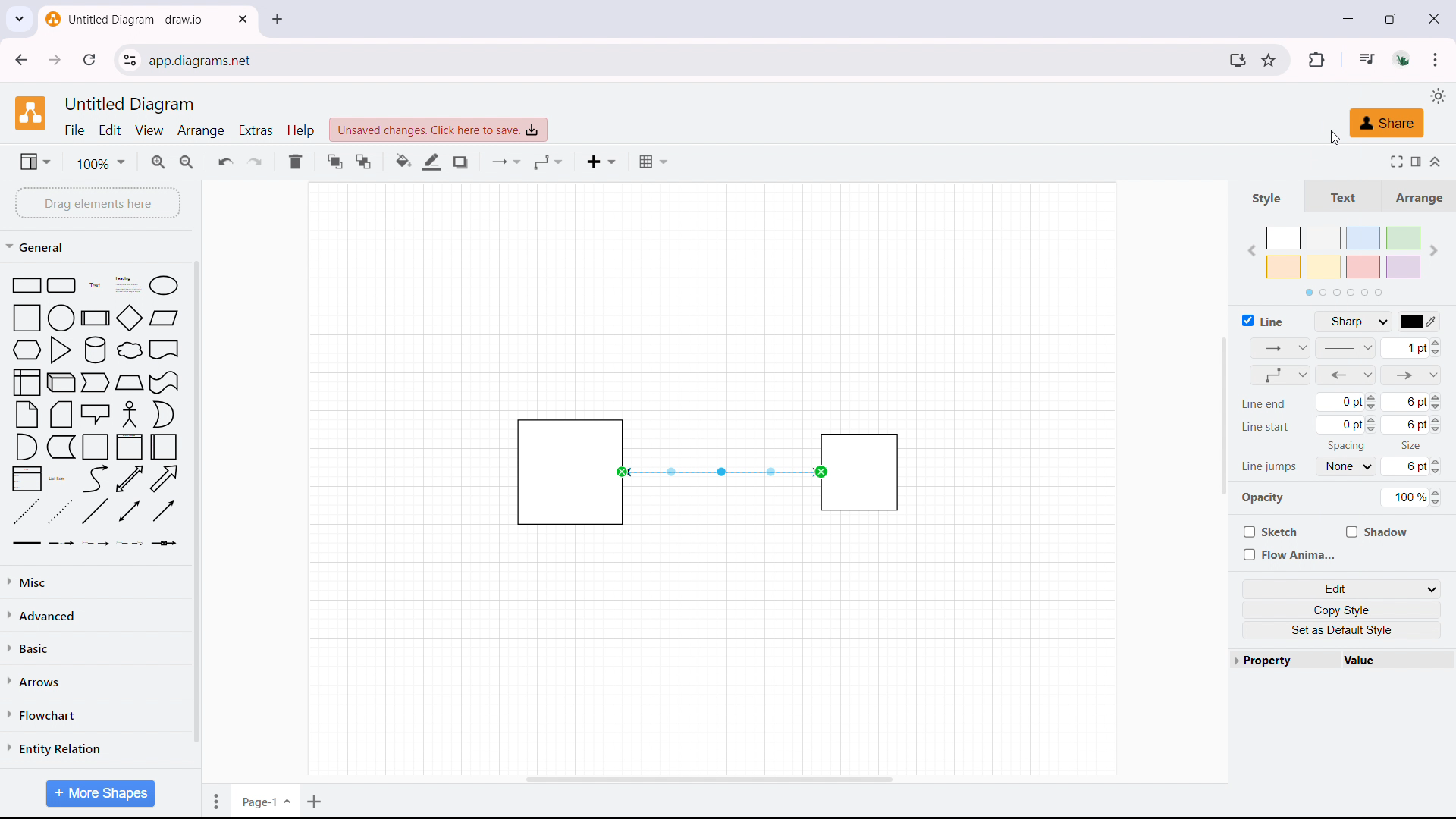 The width and height of the screenshot is (1456, 819). I want to click on object 2 is highlighted, so click(863, 472).